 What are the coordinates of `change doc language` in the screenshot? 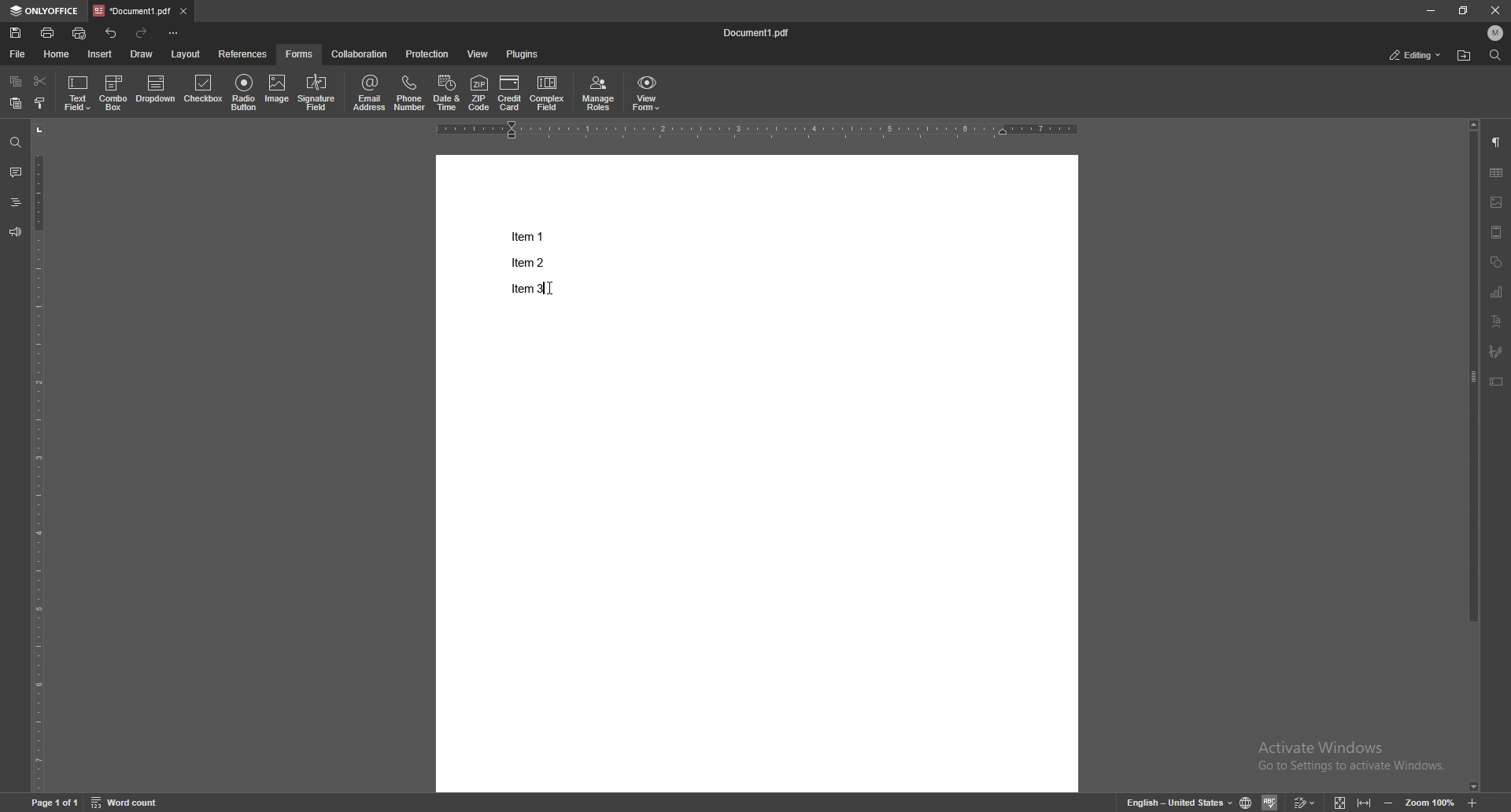 It's located at (1247, 800).